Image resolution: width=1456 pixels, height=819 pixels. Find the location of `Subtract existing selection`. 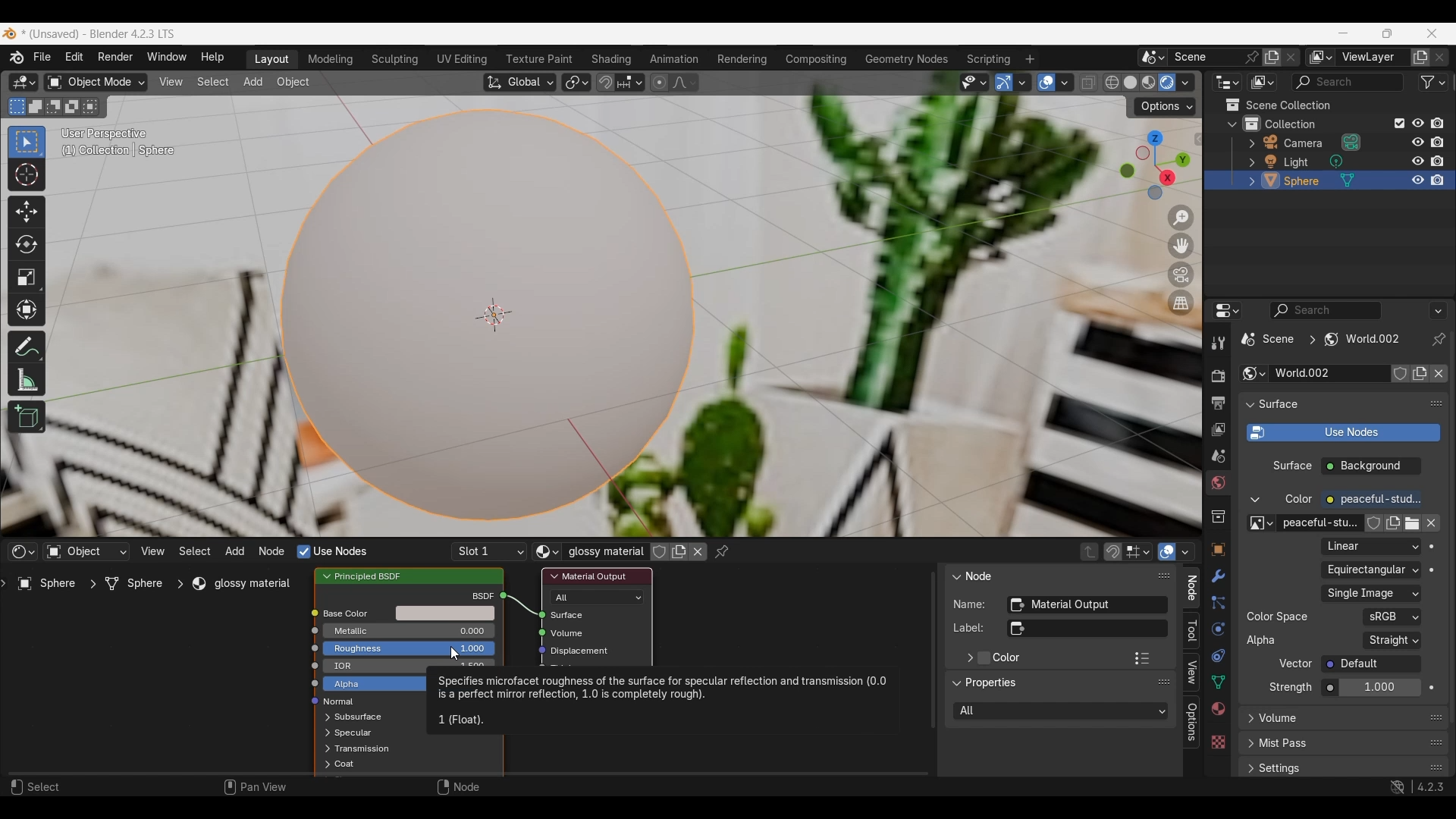

Subtract existing selection is located at coordinates (54, 107).